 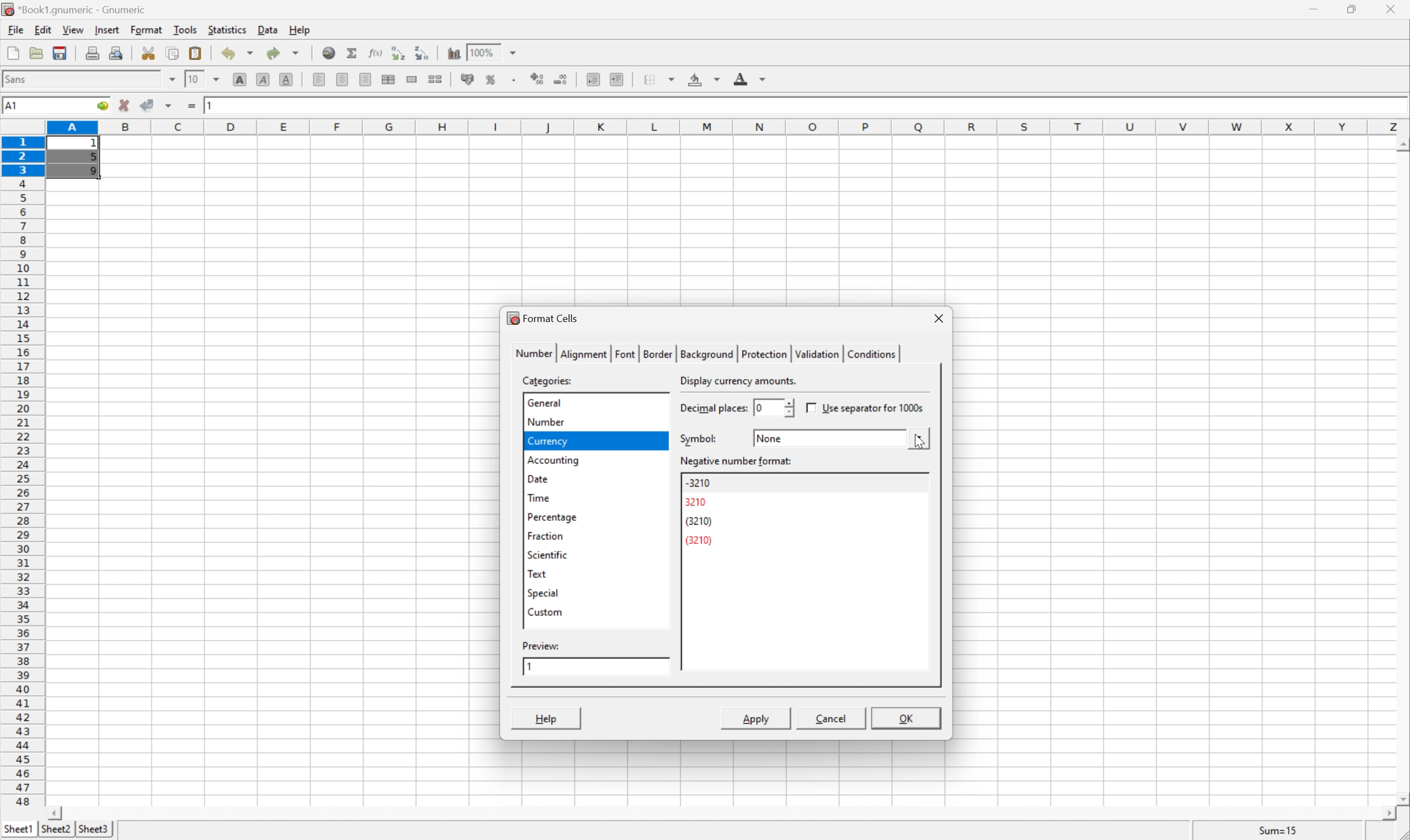 I want to click on paste, so click(x=198, y=53).